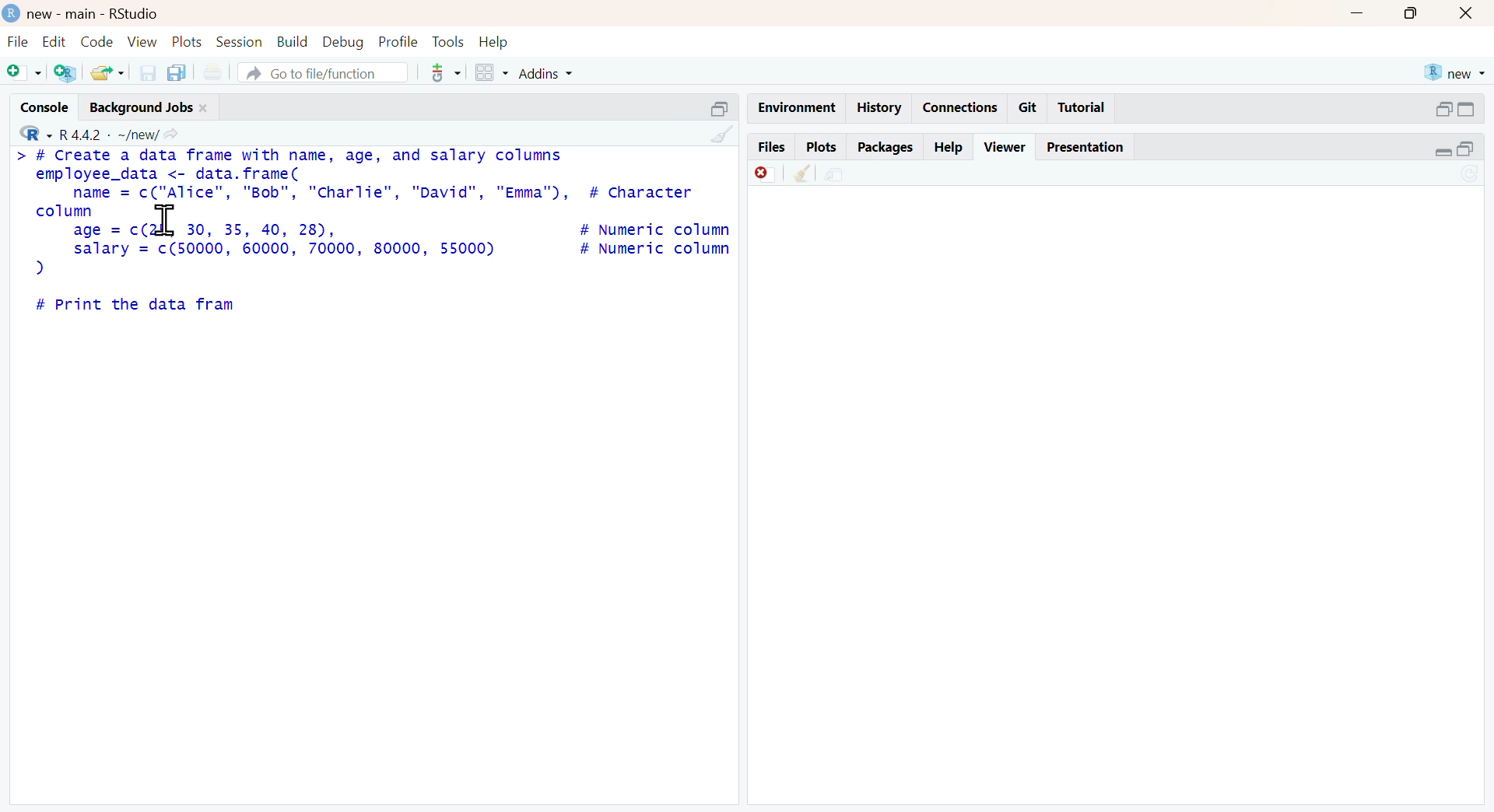  Describe the element at coordinates (1453, 149) in the screenshot. I see `minimise` at that location.